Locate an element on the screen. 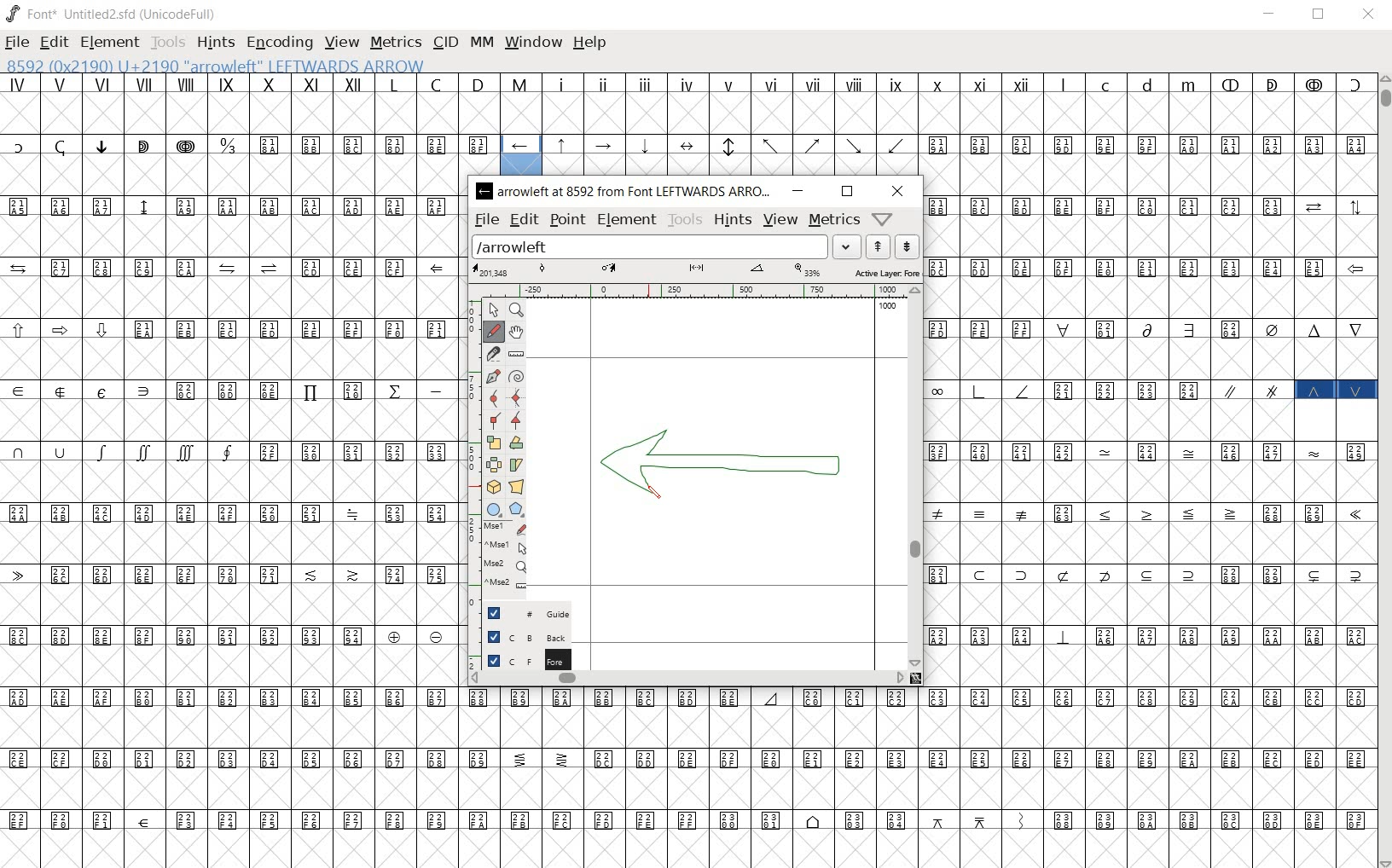  scale the selection is located at coordinates (493, 443).